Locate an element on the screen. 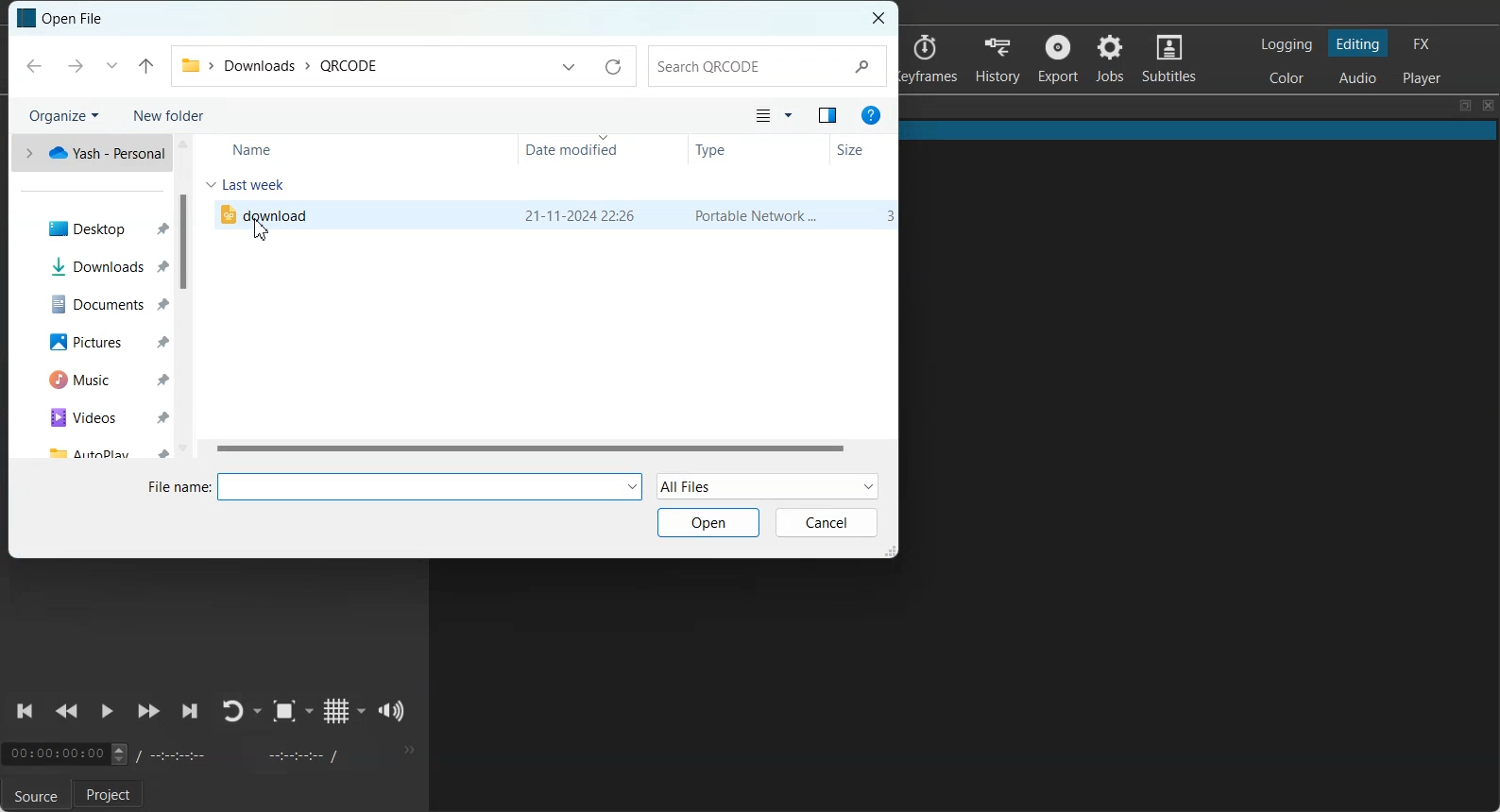  Play Quickly Backward is located at coordinates (67, 712).